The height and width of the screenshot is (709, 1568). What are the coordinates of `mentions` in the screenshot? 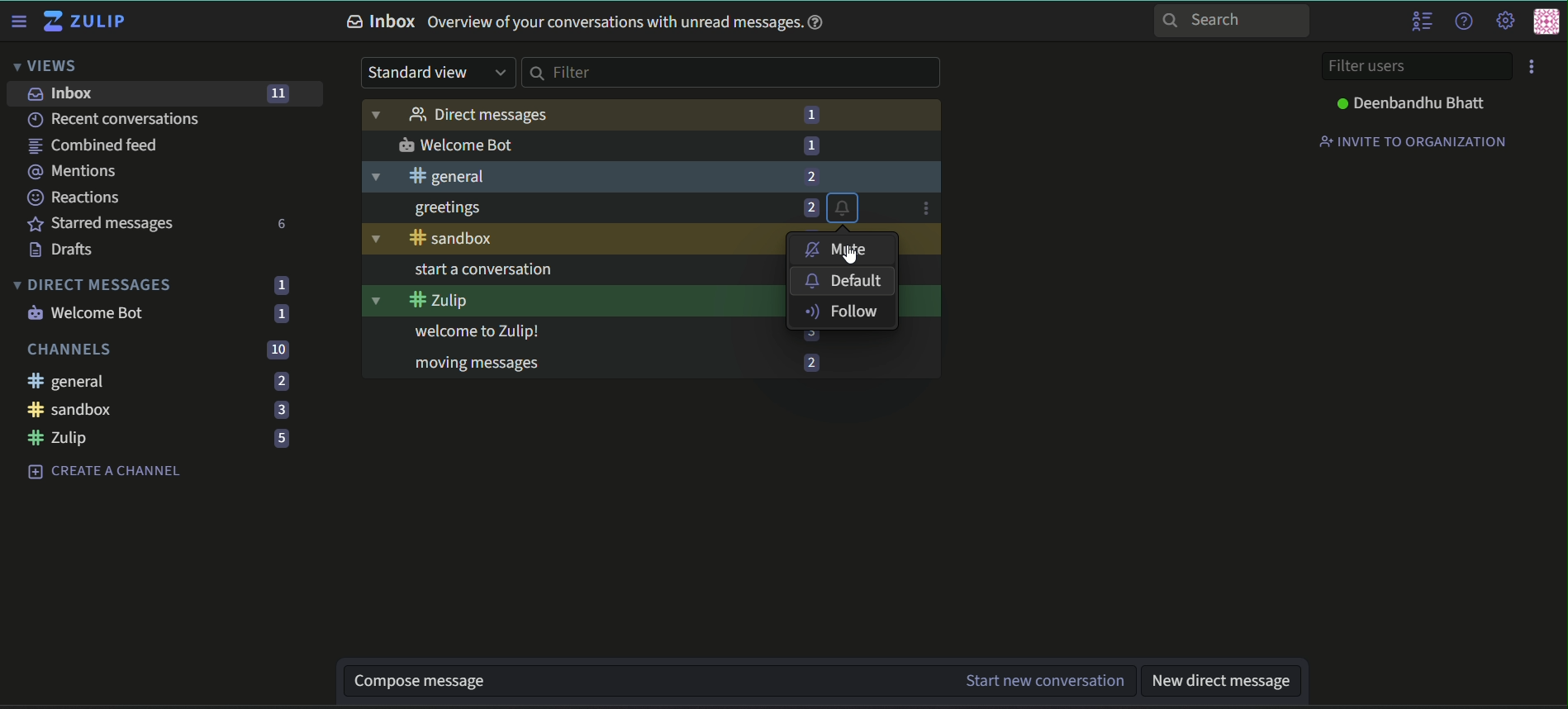 It's located at (78, 172).